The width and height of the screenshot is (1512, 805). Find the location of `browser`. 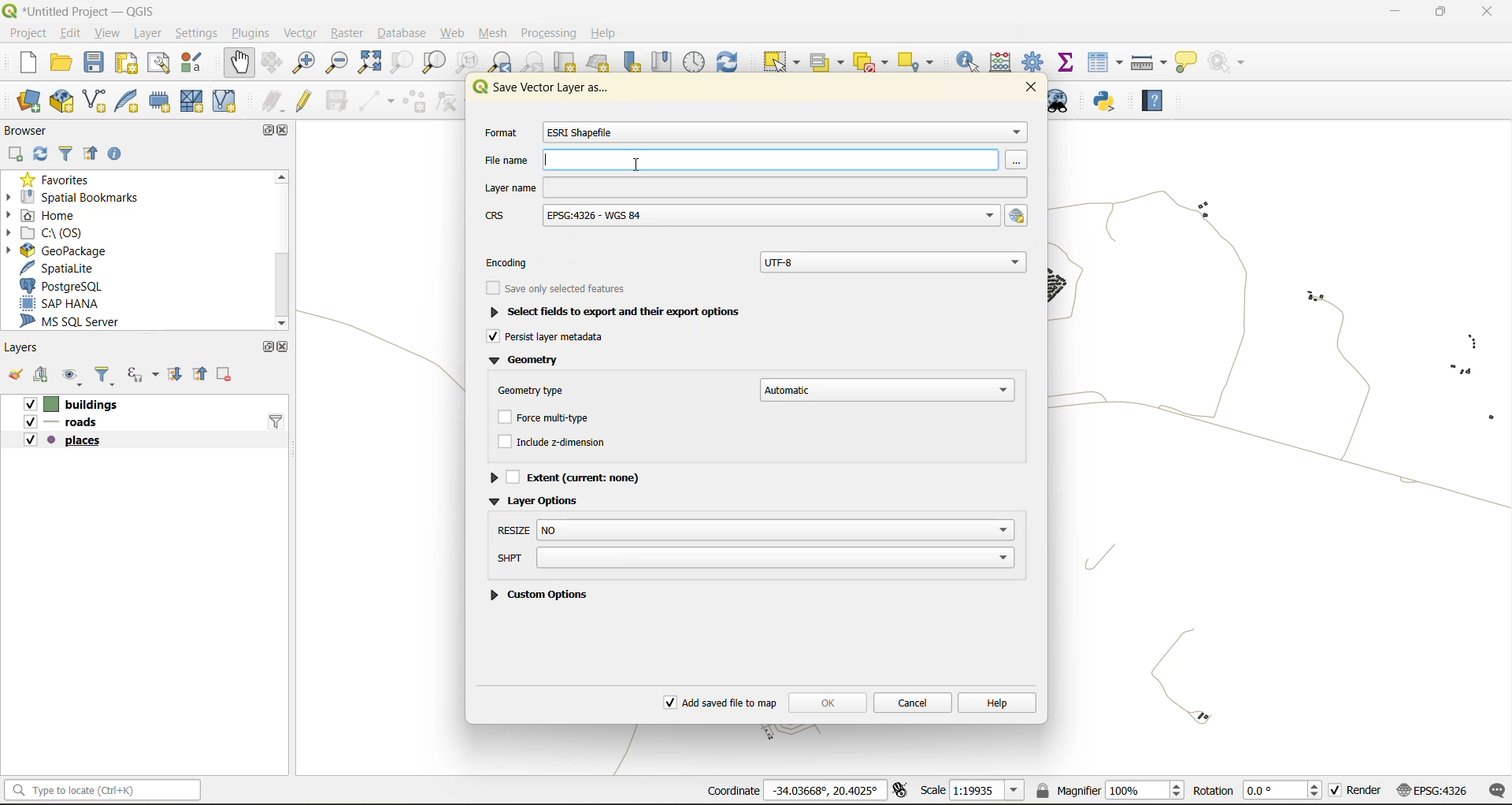

browser is located at coordinates (31, 128).